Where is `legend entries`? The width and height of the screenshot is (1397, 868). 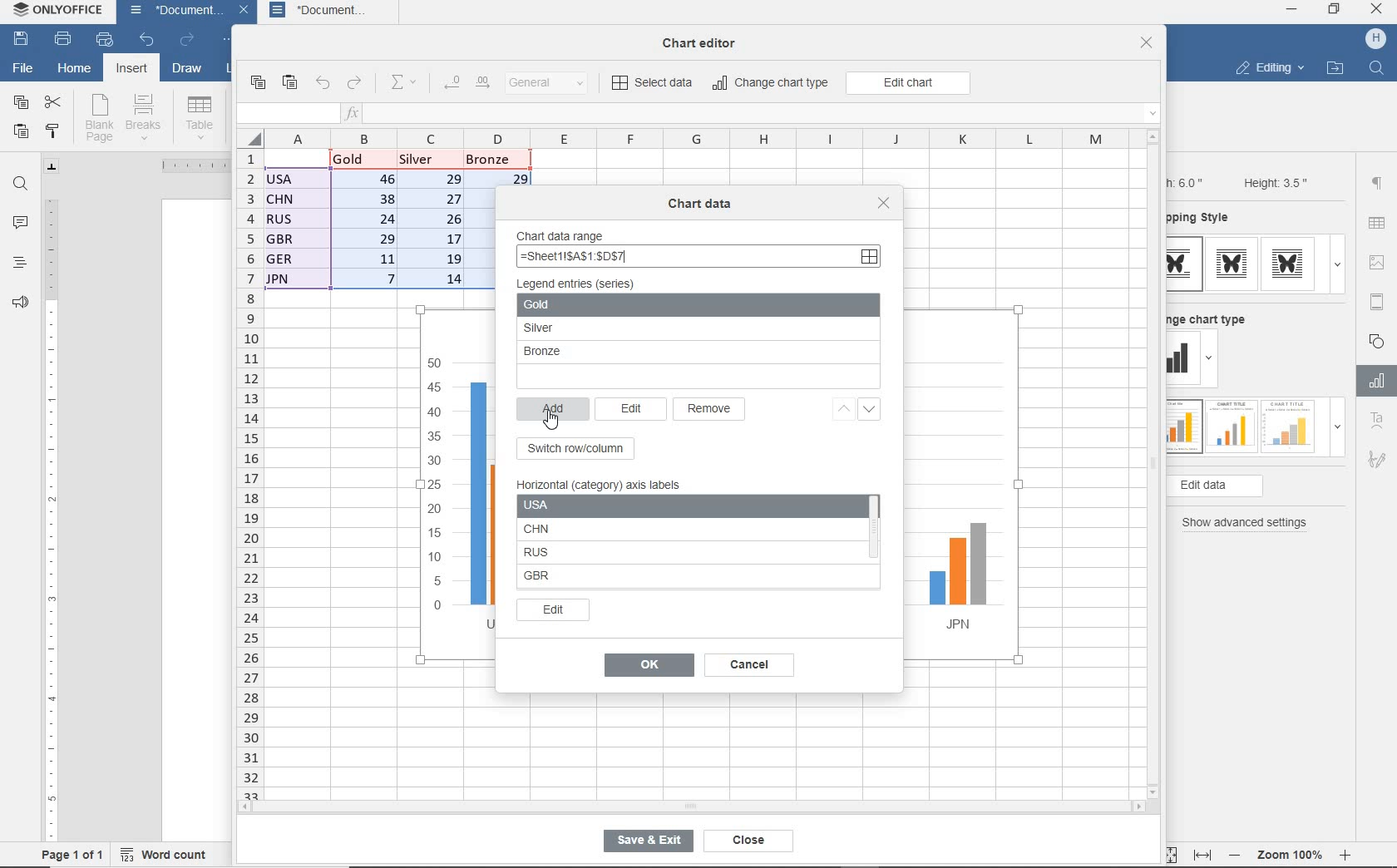
legend entries is located at coordinates (582, 284).